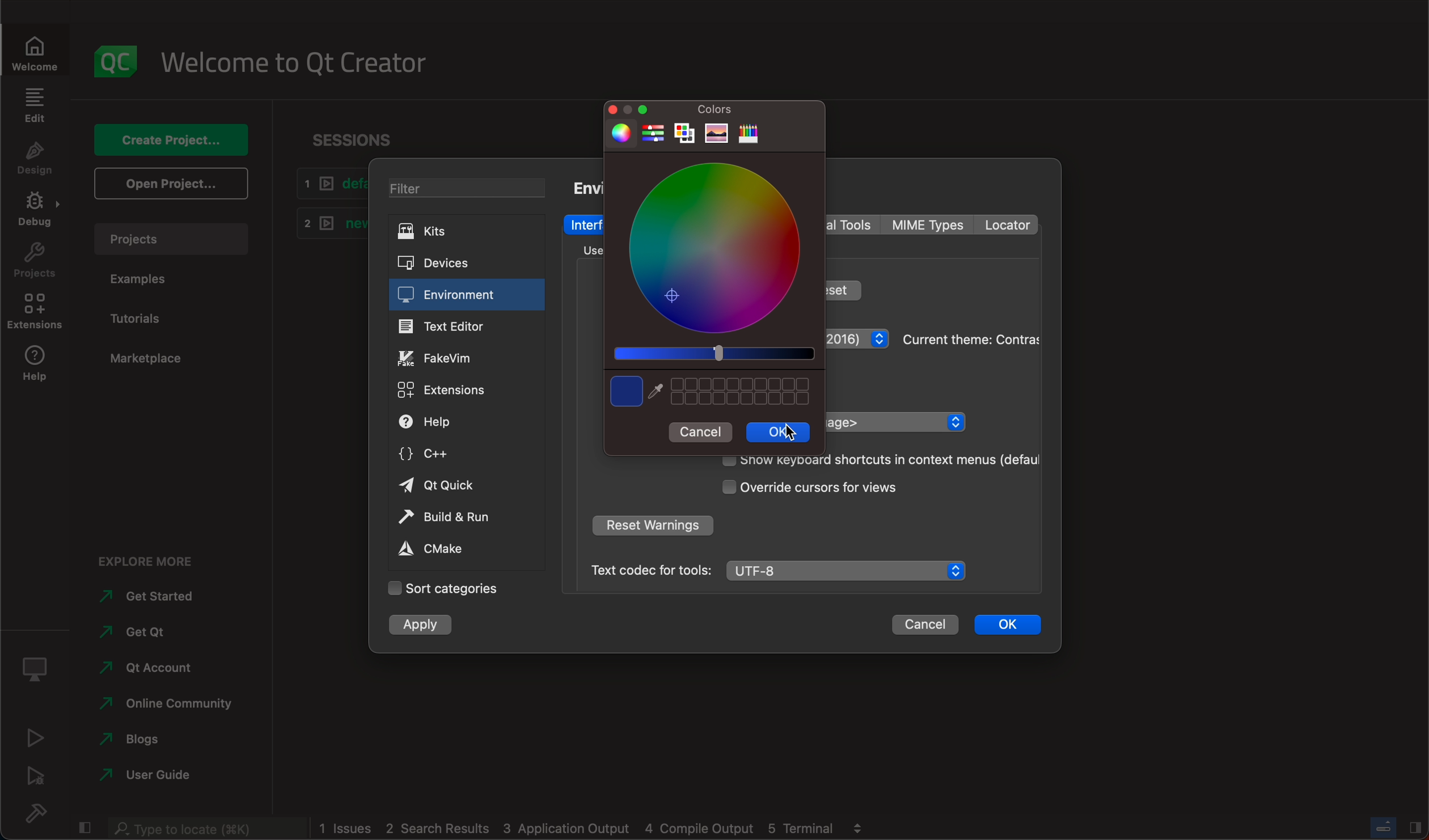 Image resolution: width=1429 pixels, height=840 pixels. I want to click on shade, so click(712, 353).